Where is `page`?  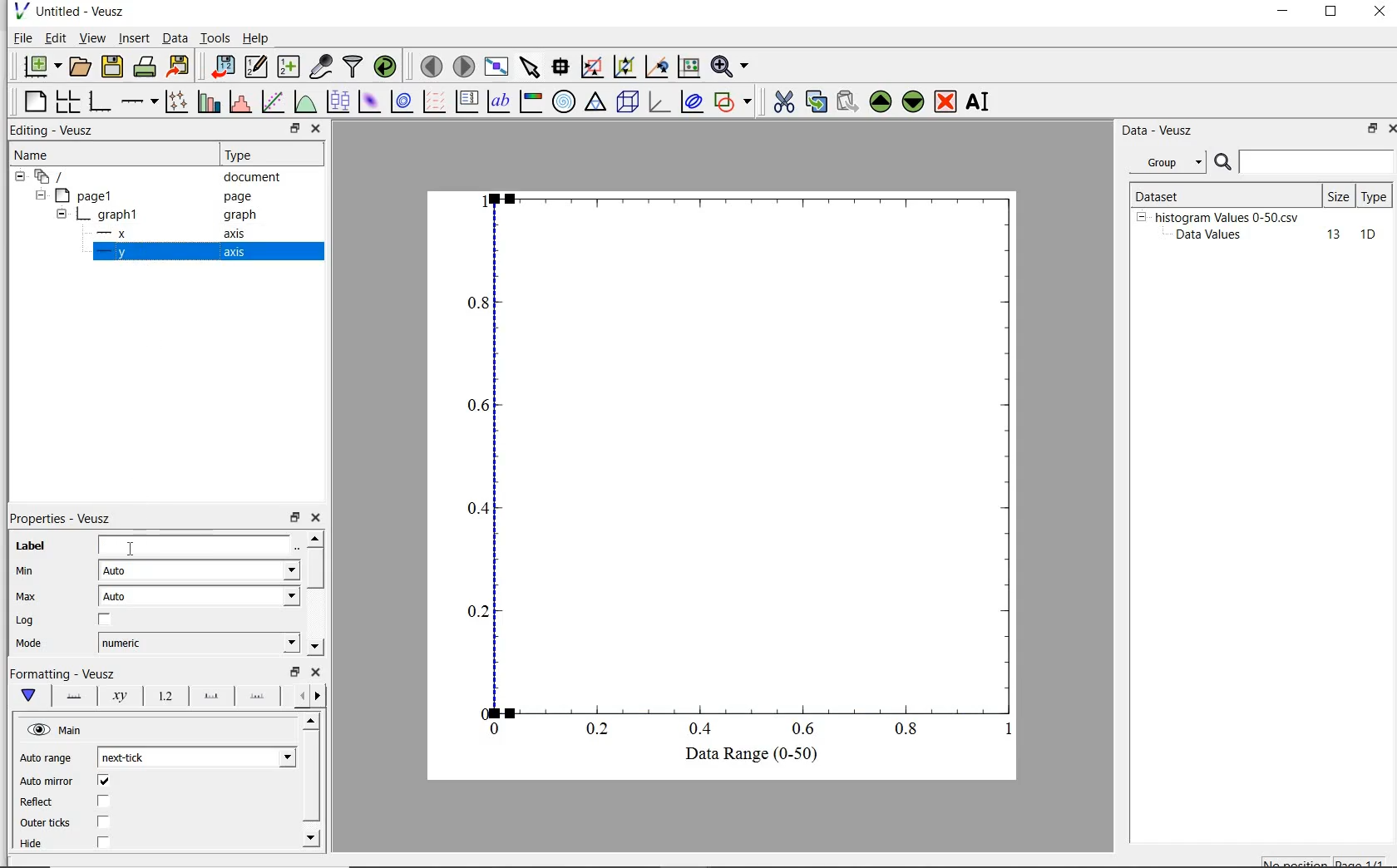 page is located at coordinates (246, 197).